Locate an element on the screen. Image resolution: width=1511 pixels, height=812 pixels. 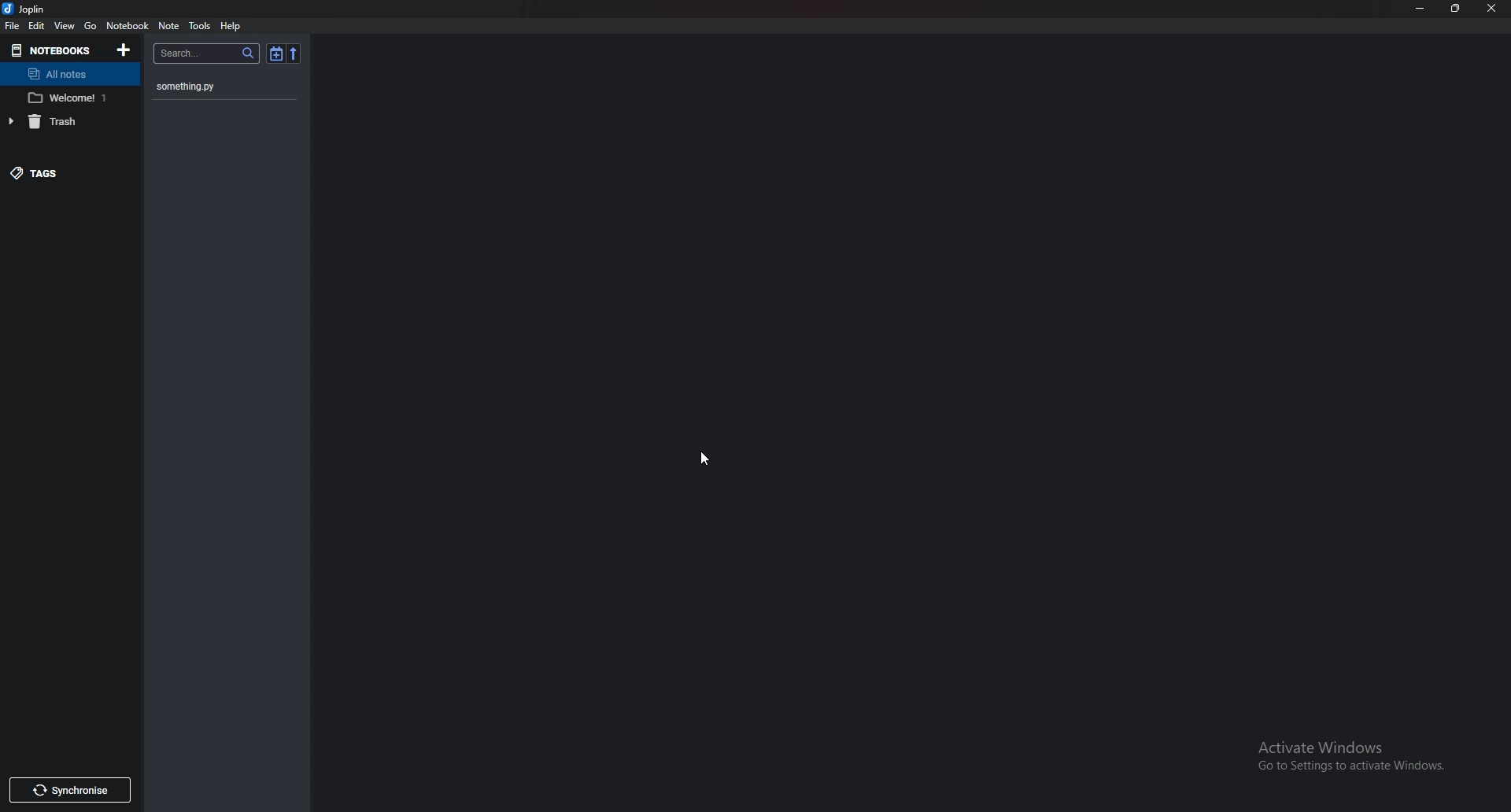
joplin is located at coordinates (25, 9).